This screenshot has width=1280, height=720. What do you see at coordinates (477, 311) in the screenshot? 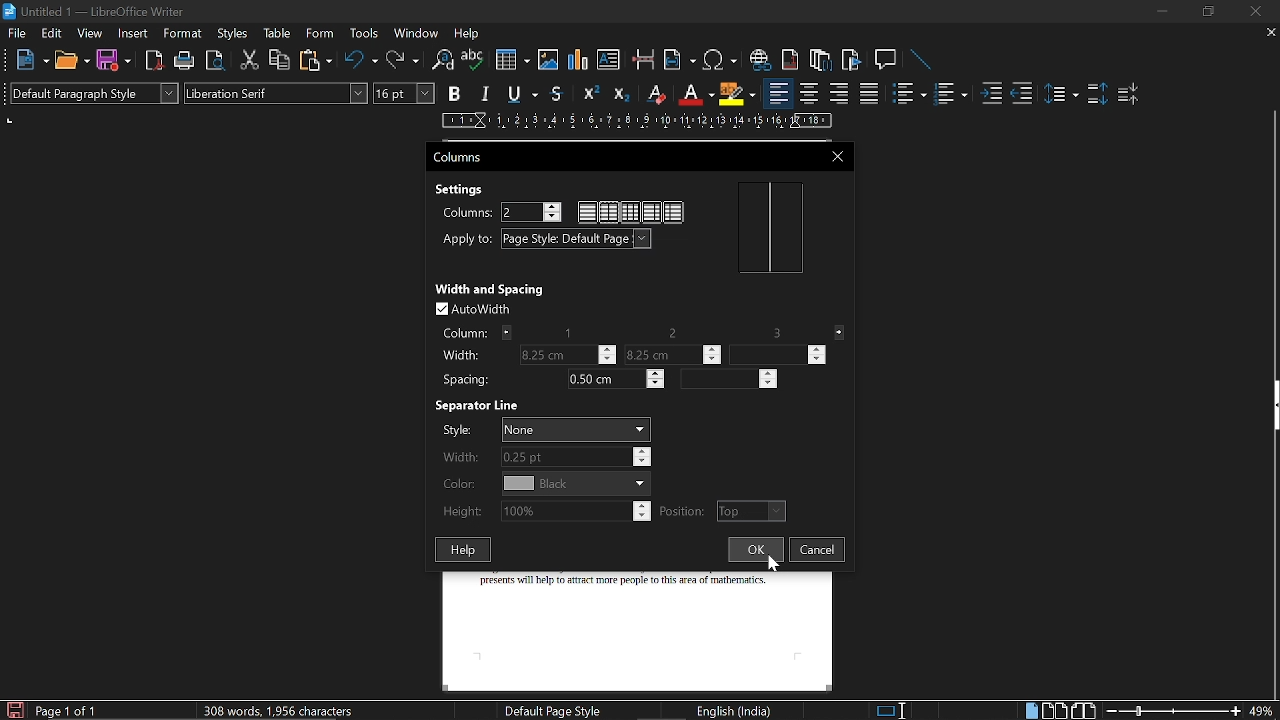
I see `Auto width` at bounding box center [477, 311].